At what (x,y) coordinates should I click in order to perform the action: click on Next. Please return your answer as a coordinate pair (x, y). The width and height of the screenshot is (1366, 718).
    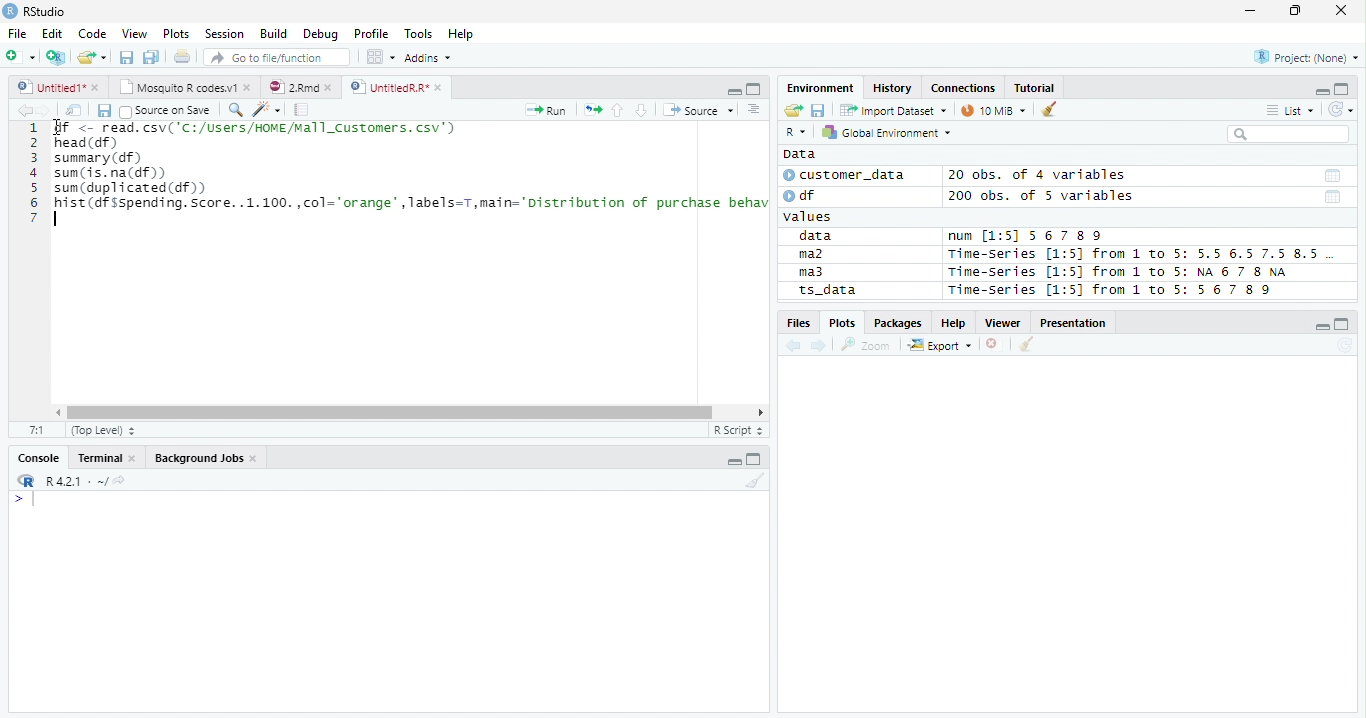
    Looking at the image, I should click on (45, 111).